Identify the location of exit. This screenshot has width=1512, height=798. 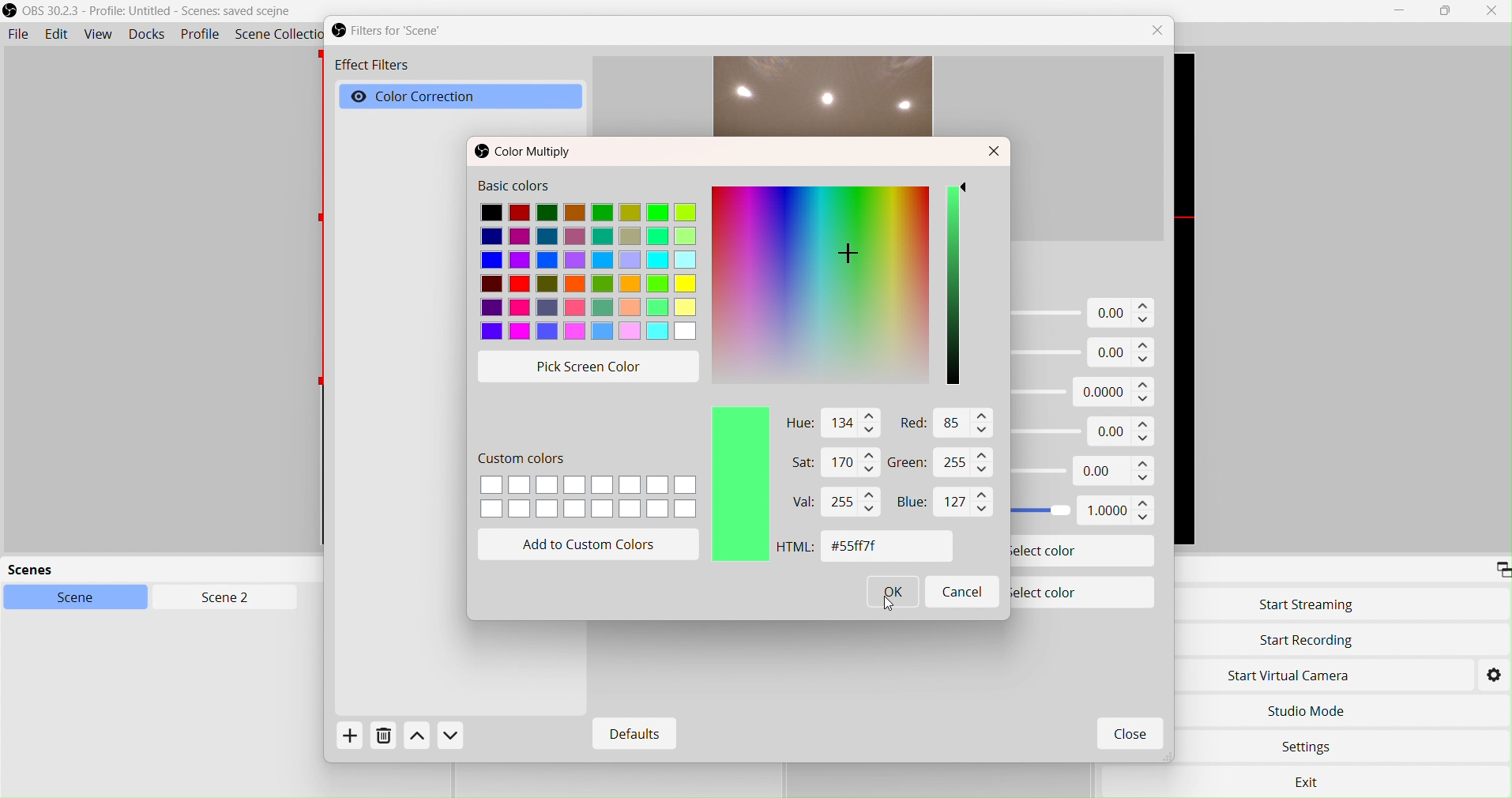
(1312, 781).